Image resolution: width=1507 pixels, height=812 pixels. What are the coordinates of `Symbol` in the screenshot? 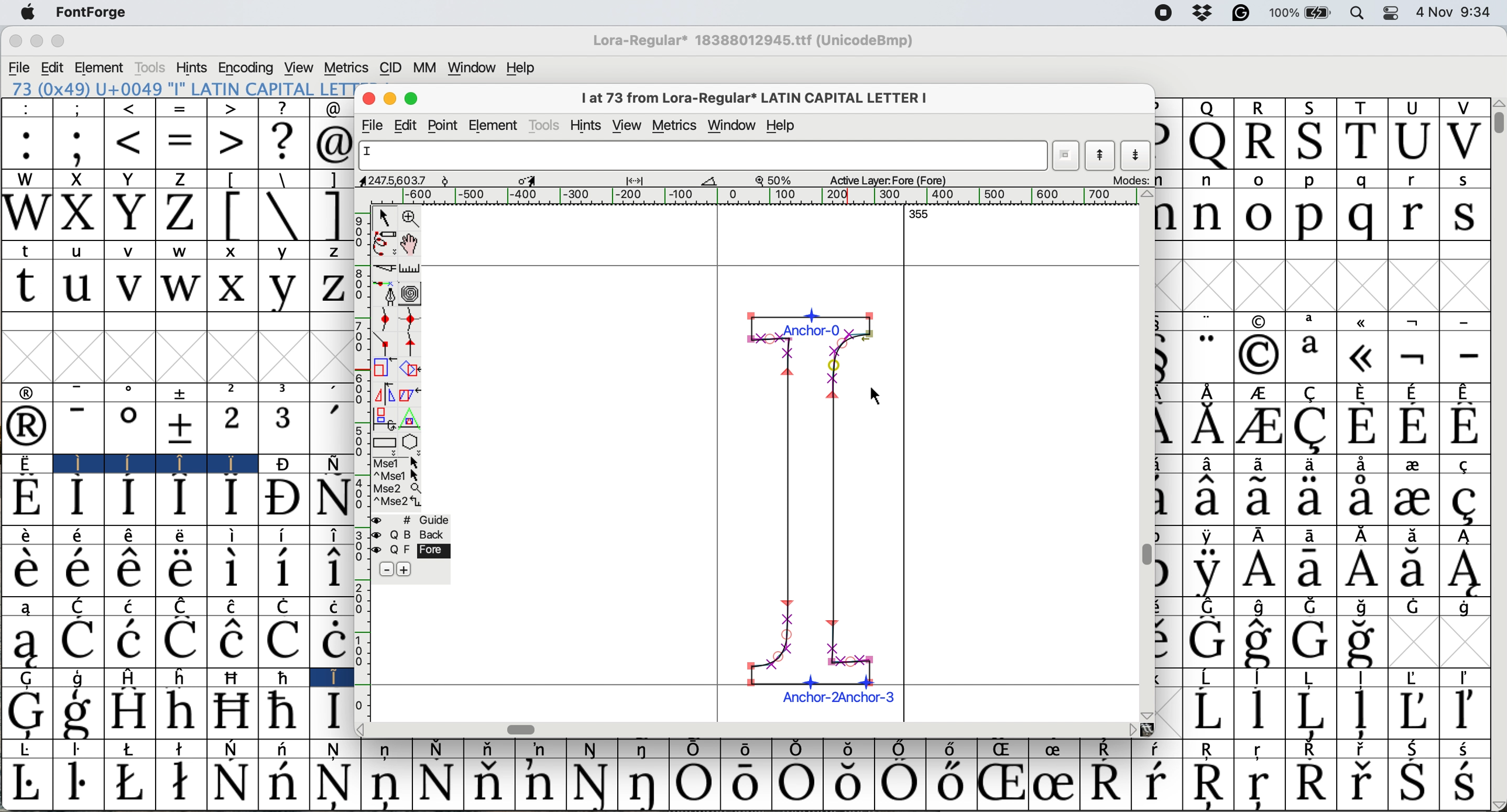 It's located at (280, 499).